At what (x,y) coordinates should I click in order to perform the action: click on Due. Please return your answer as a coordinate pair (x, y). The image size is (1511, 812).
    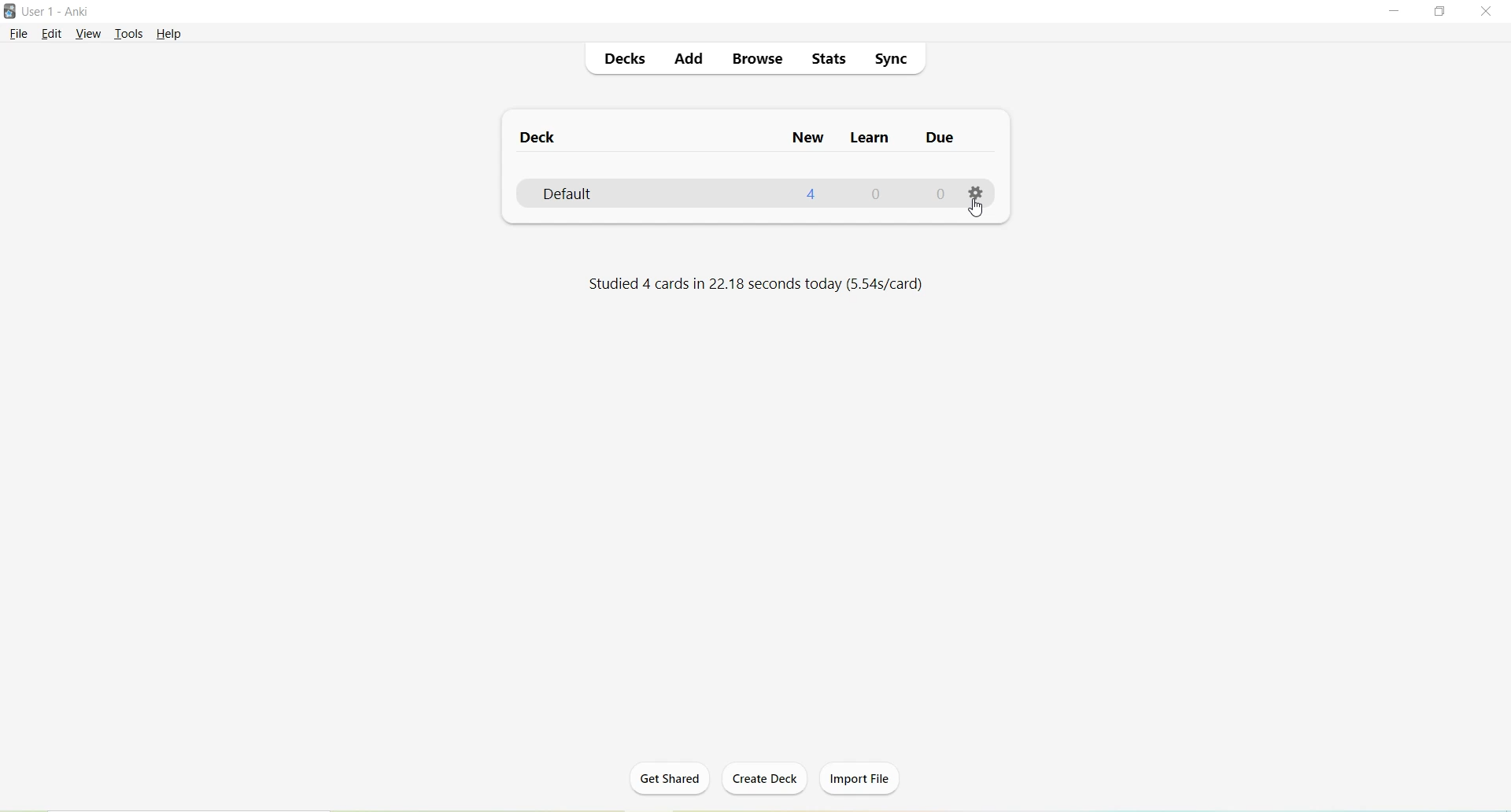
    Looking at the image, I should click on (942, 138).